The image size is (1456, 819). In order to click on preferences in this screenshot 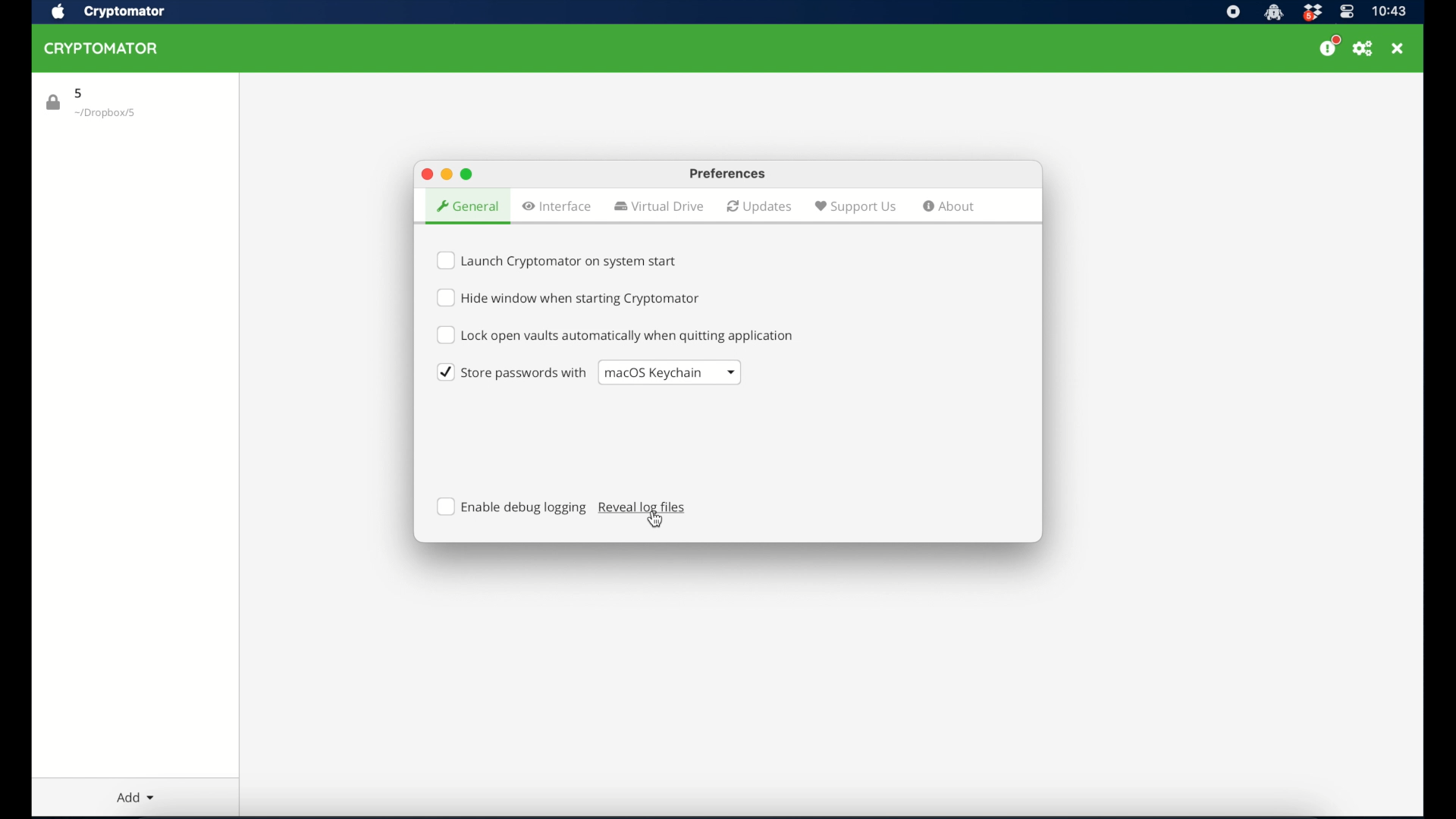, I will do `click(1363, 51)`.